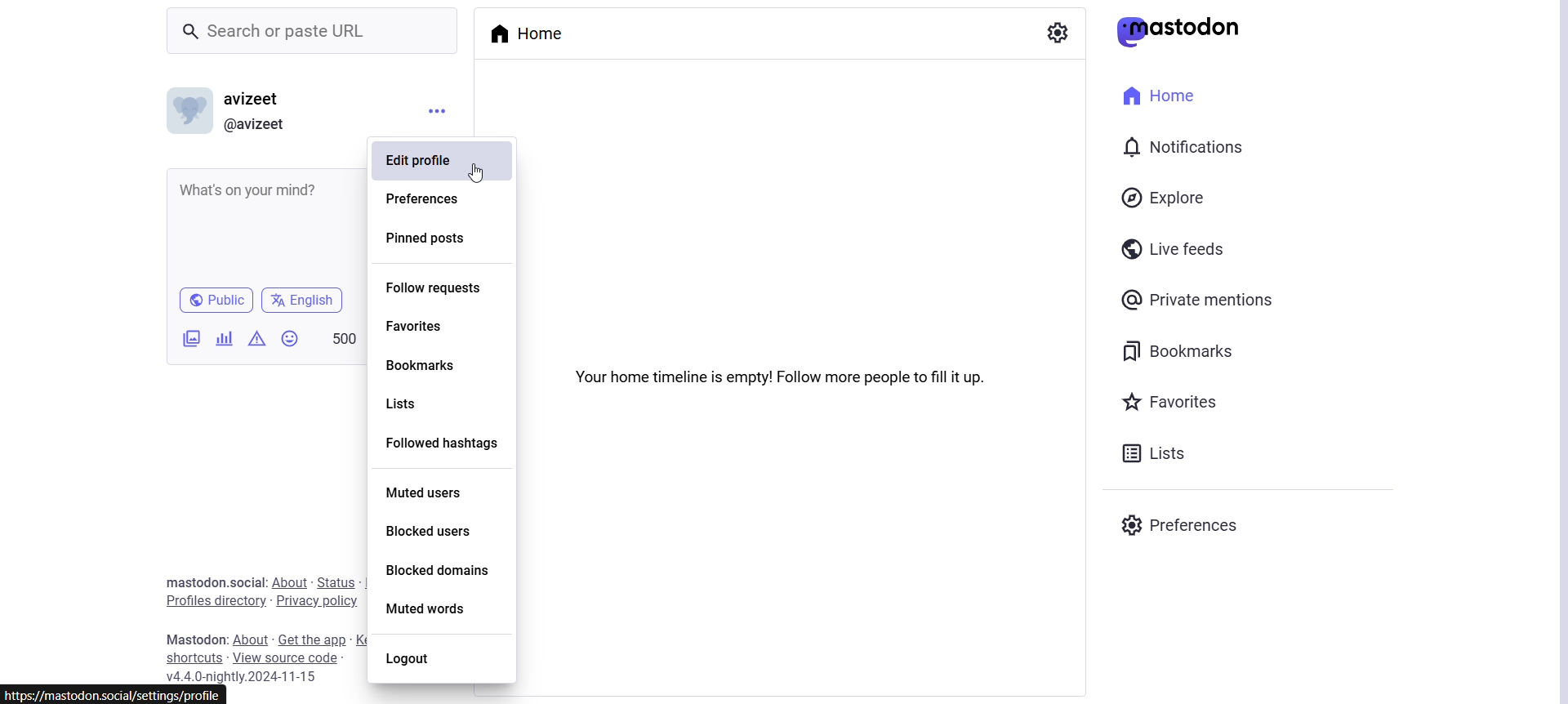 The height and width of the screenshot is (704, 1568). Describe the element at coordinates (439, 608) in the screenshot. I see `Muted Words` at that location.